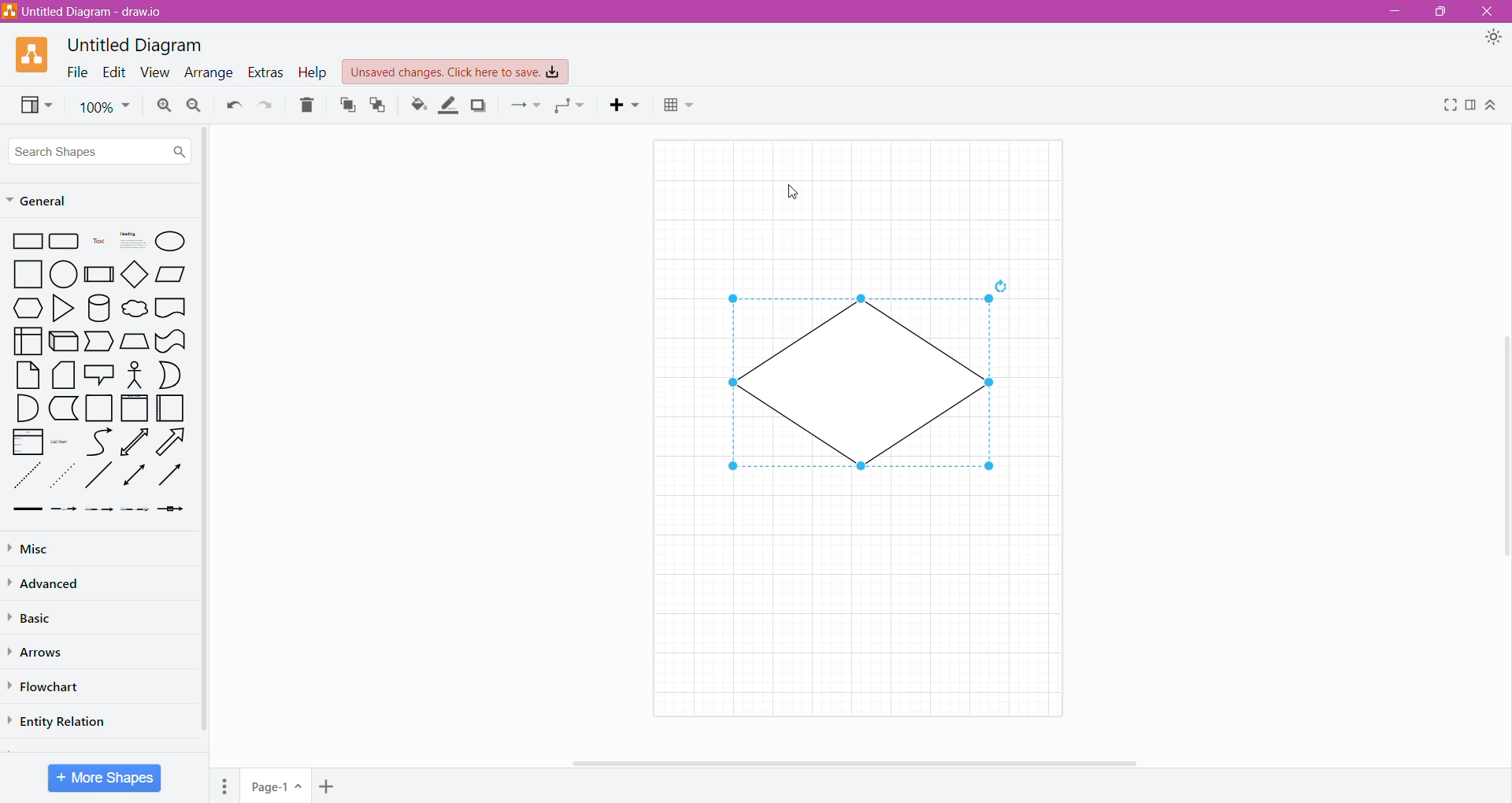 This screenshot has width=1512, height=803. I want to click on Actor, so click(133, 376).